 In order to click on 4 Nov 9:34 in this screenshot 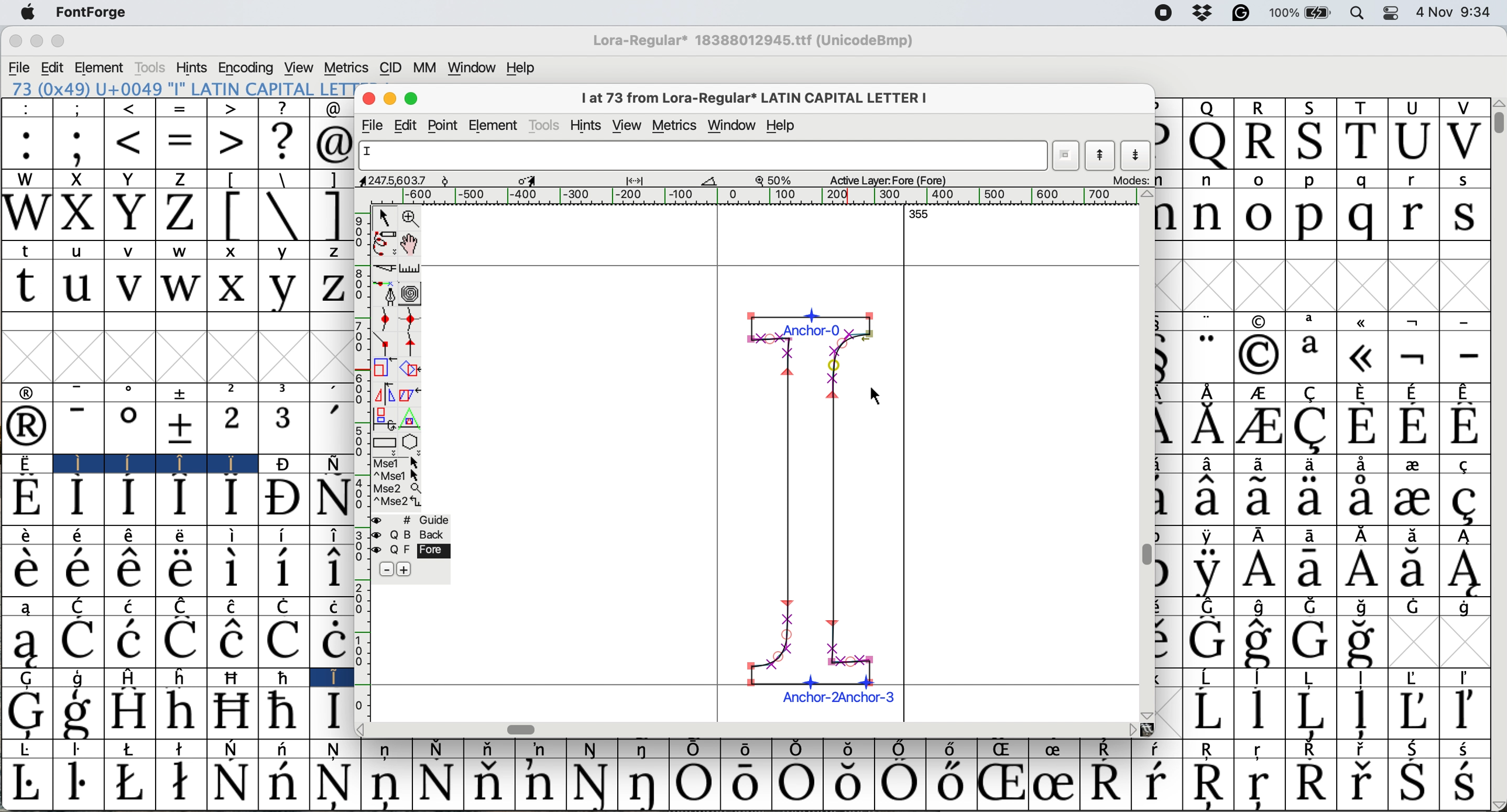, I will do `click(1456, 12)`.